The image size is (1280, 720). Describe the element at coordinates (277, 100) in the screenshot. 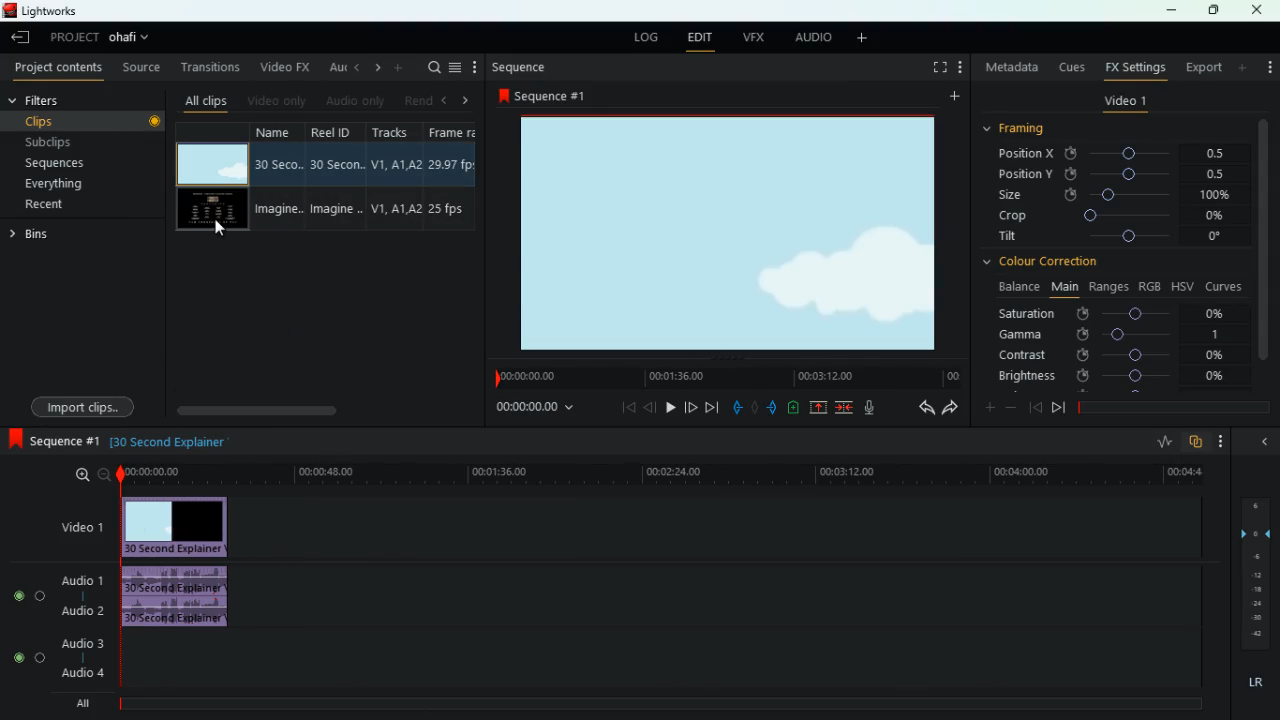

I see `video only` at that location.